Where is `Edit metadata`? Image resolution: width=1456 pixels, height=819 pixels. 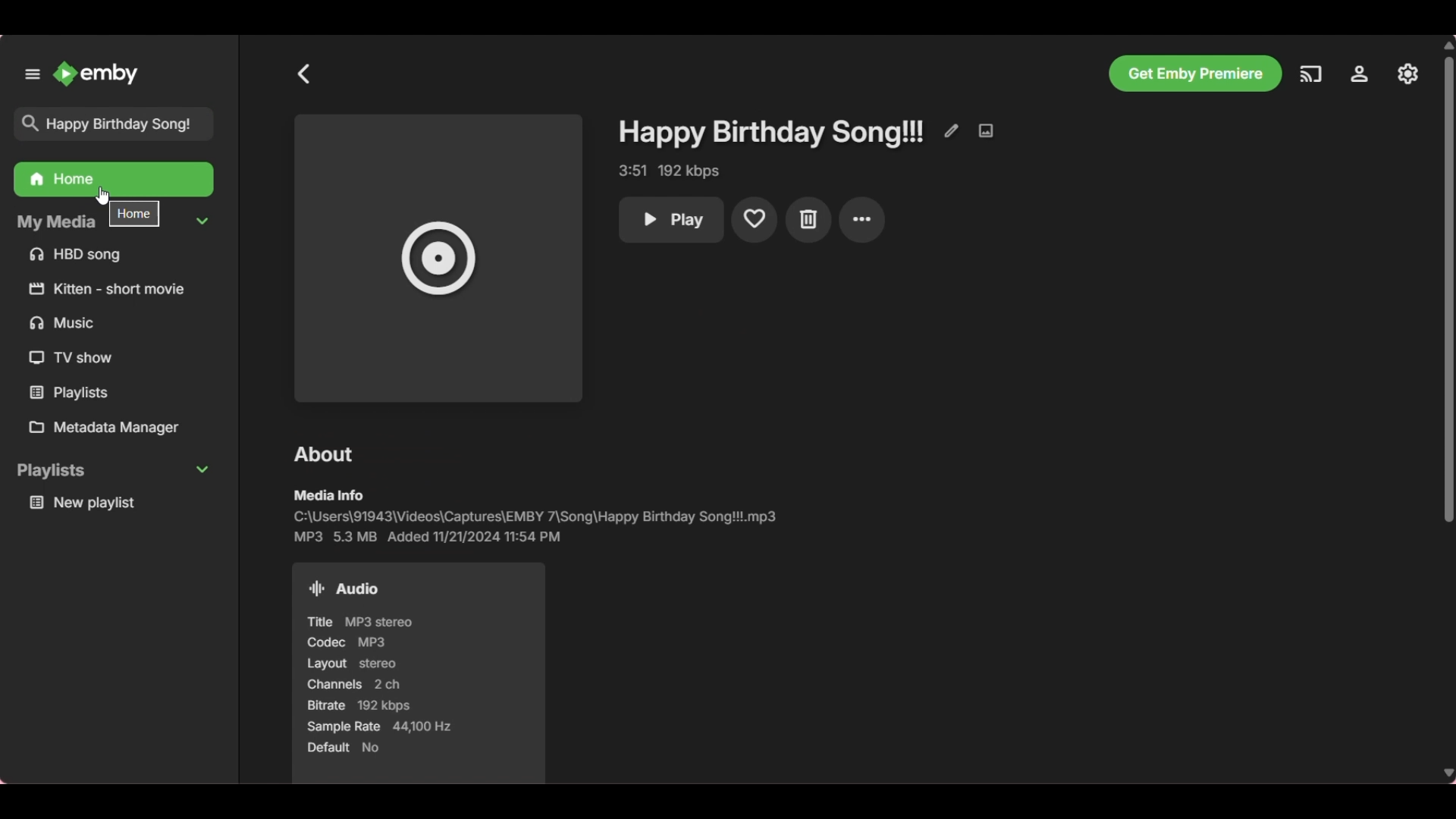
Edit metadata is located at coordinates (950, 132).